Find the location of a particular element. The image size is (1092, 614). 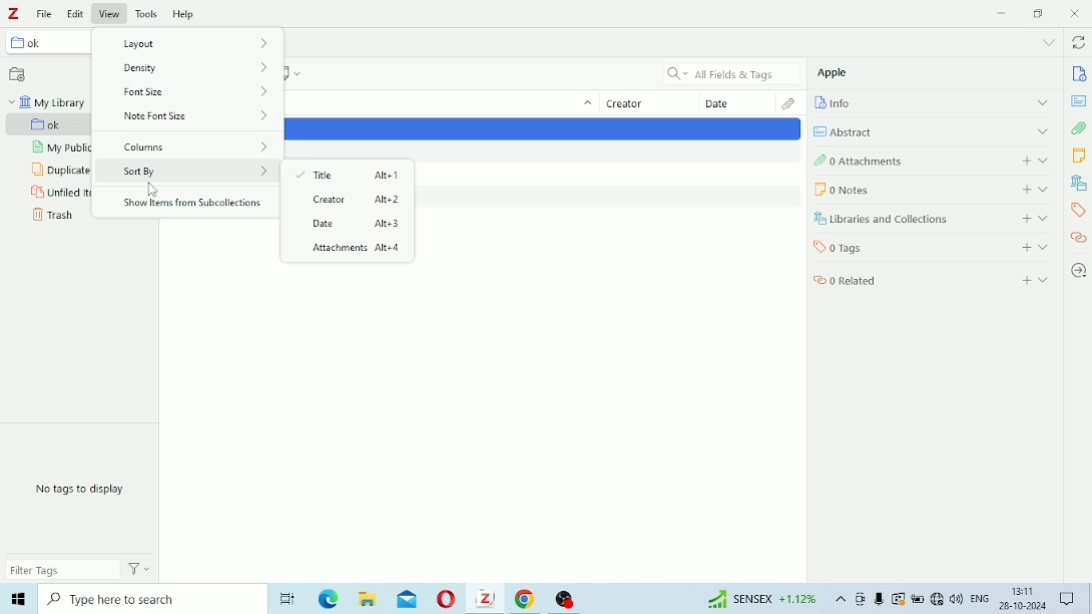

Tools is located at coordinates (146, 11).